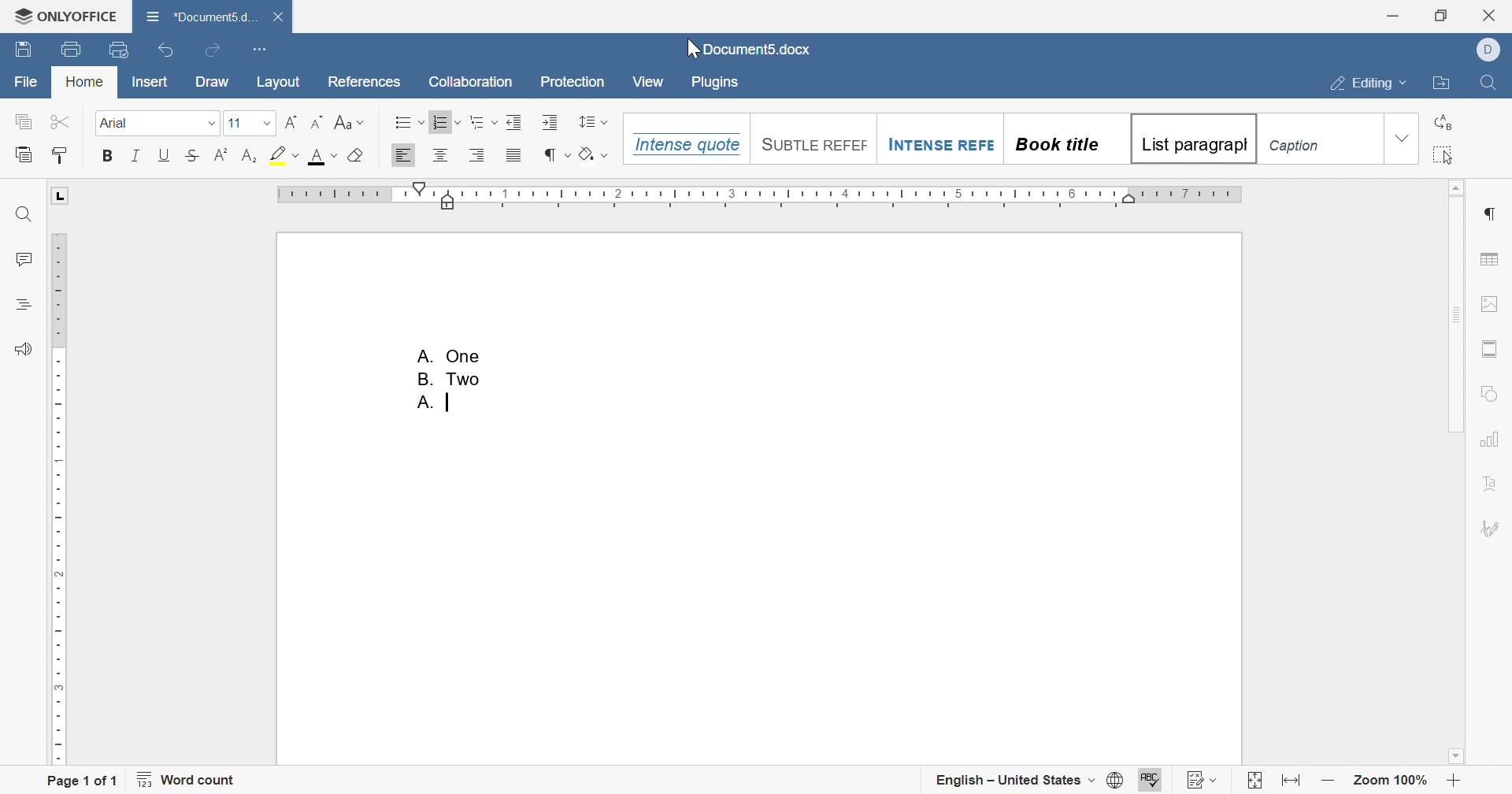 This screenshot has height=794, width=1512. Describe the element at coordinates (287, 153) in the screenshot. I see `highlight color` at that location.